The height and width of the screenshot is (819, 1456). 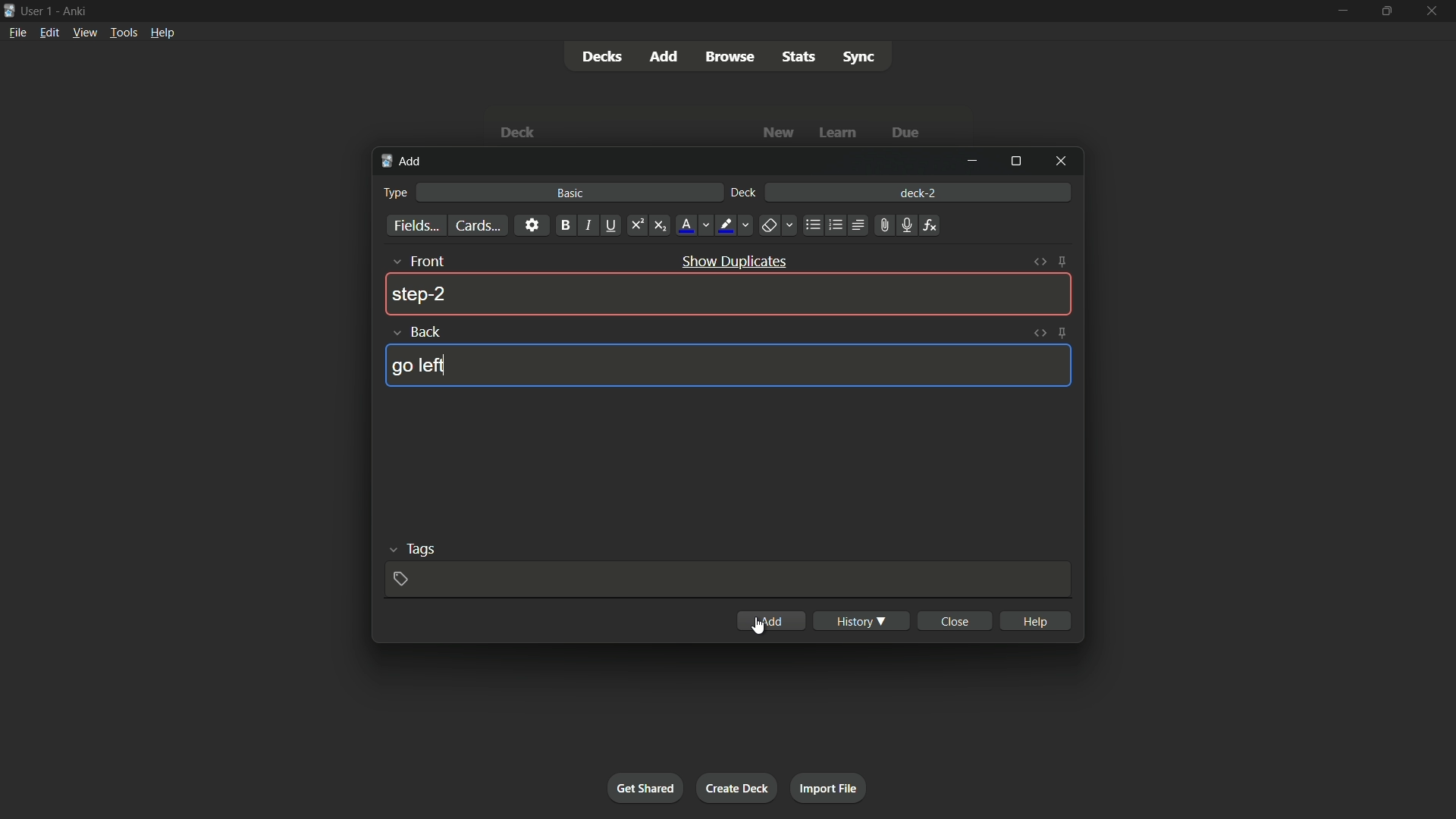 I want to click on ordered list, so click(x=835, y=227).